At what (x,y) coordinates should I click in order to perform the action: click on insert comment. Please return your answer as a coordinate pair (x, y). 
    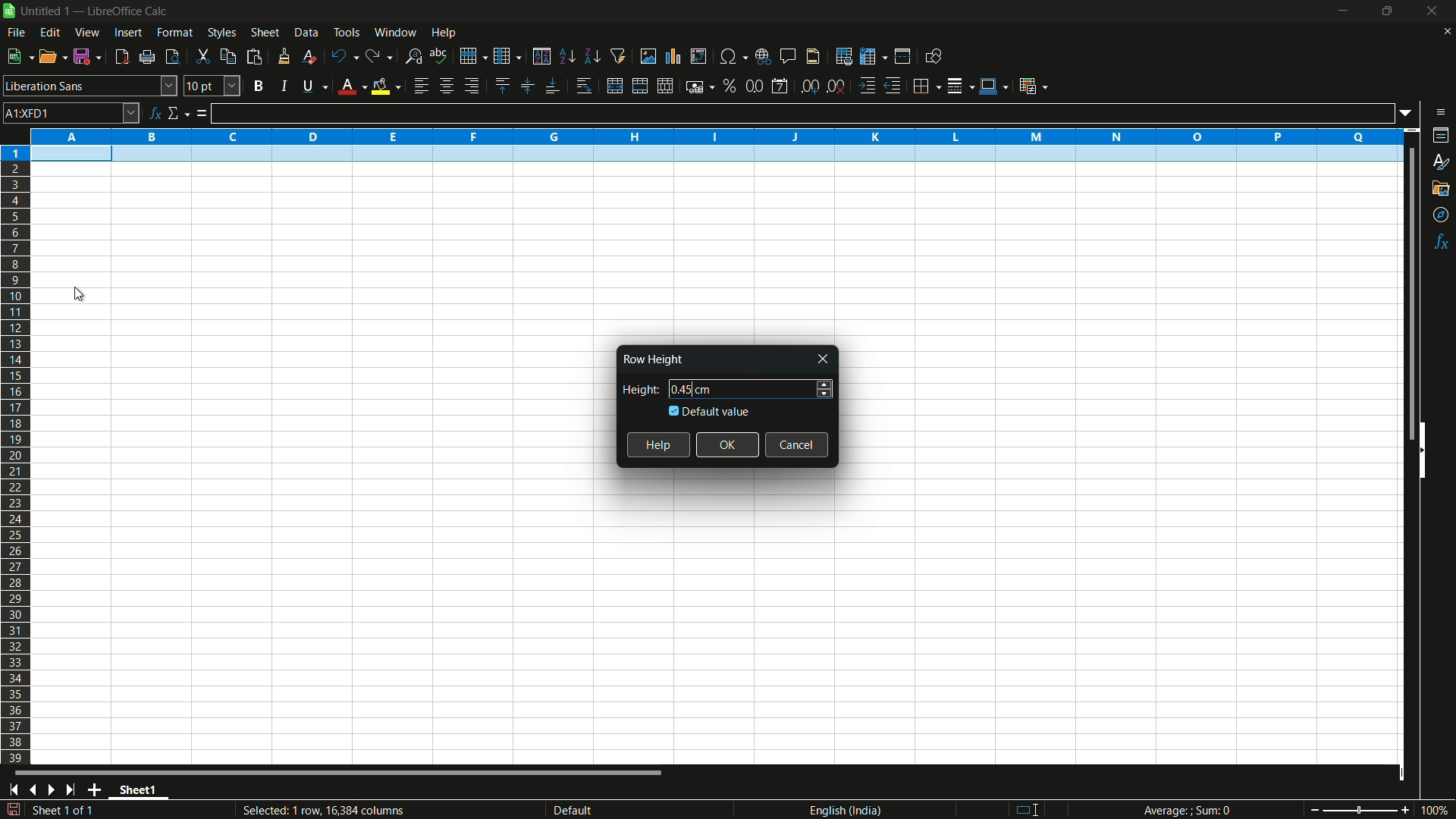
    Looking at the image, I should click on (789, 56).